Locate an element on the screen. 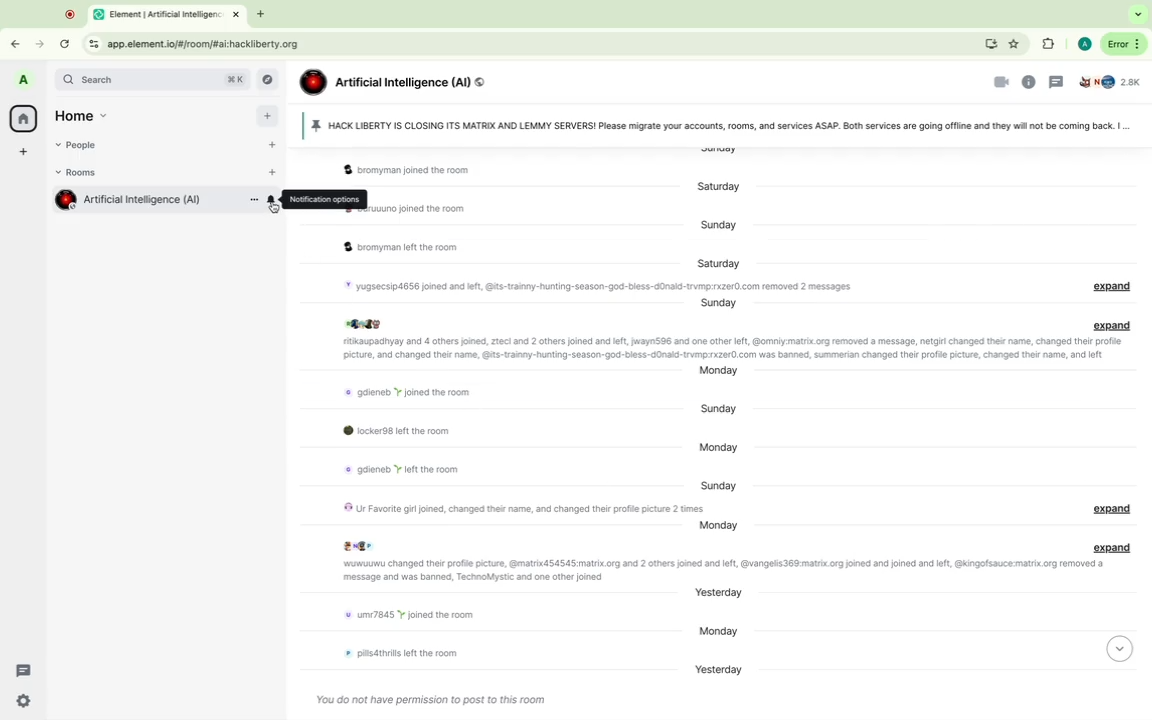  Quick settings is located at coordinates (24, 699).